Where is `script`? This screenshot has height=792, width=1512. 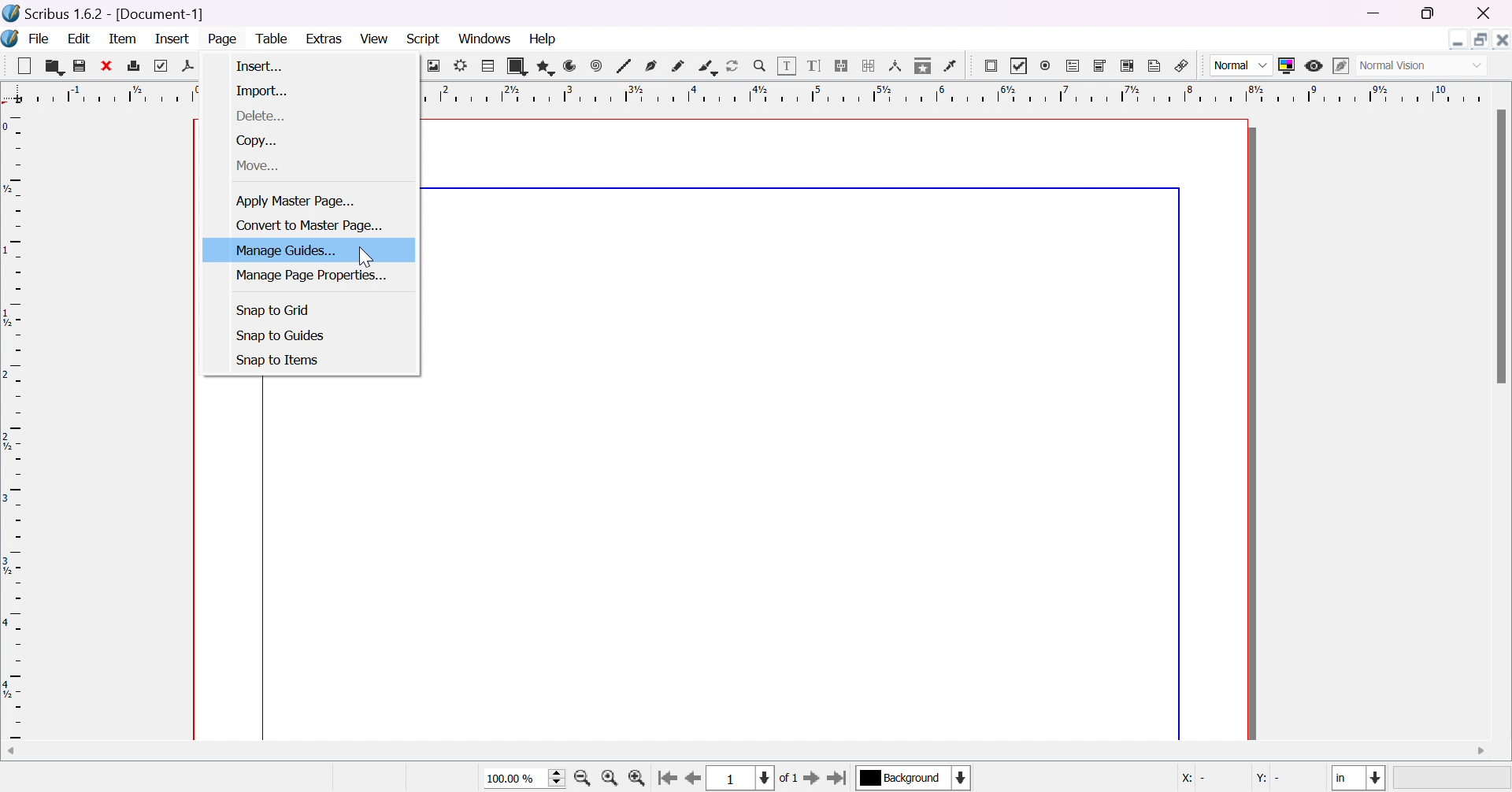 script is located at coordinates (423, 39).